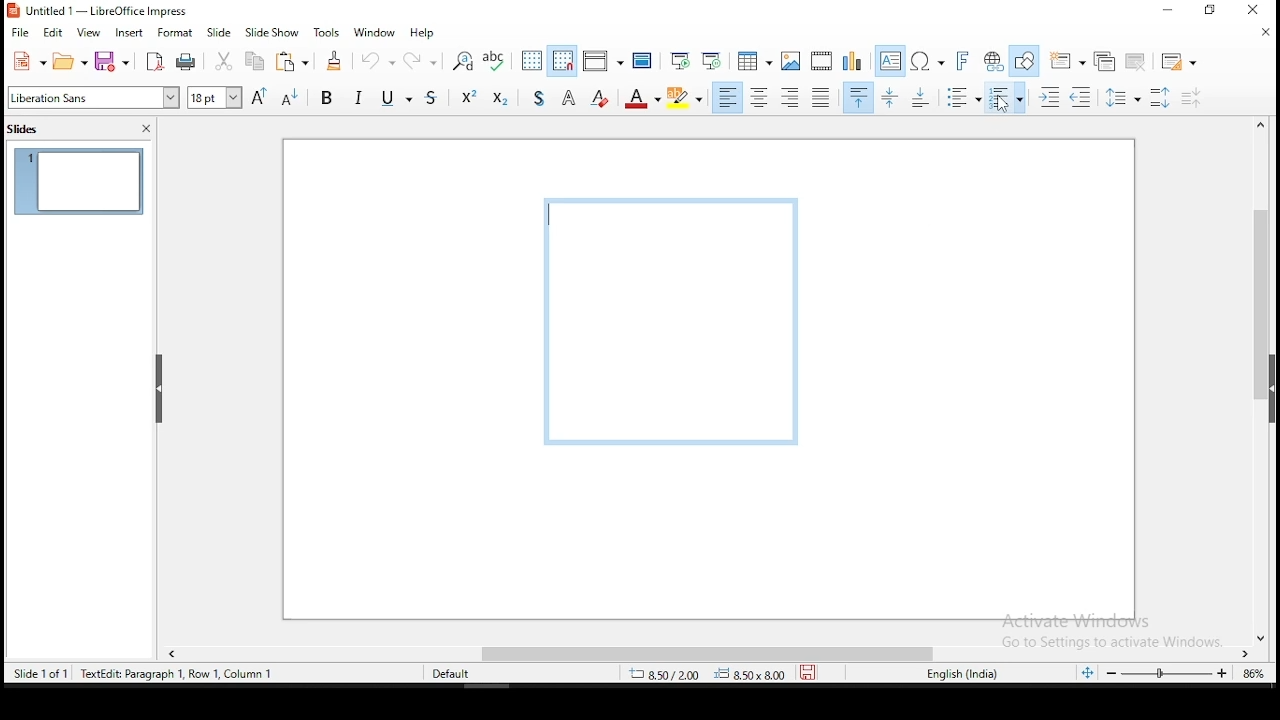 This screenshot has width=1280, height=720. I want to click on font, so click(92, 99).